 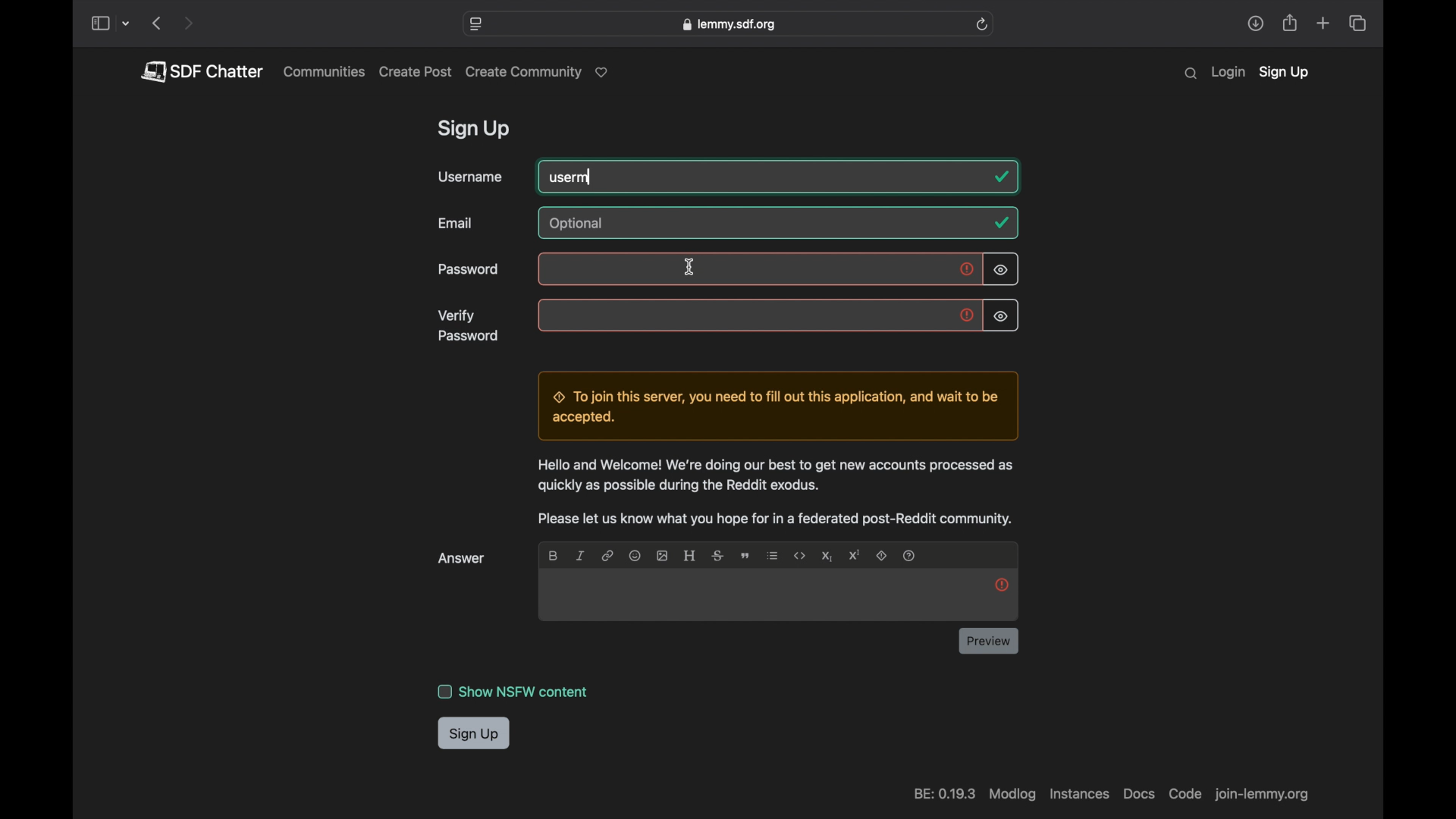 What do you see at coordinates (475, 734) in the screenshot?
I see `sign up` at bounding box center [475, 734].